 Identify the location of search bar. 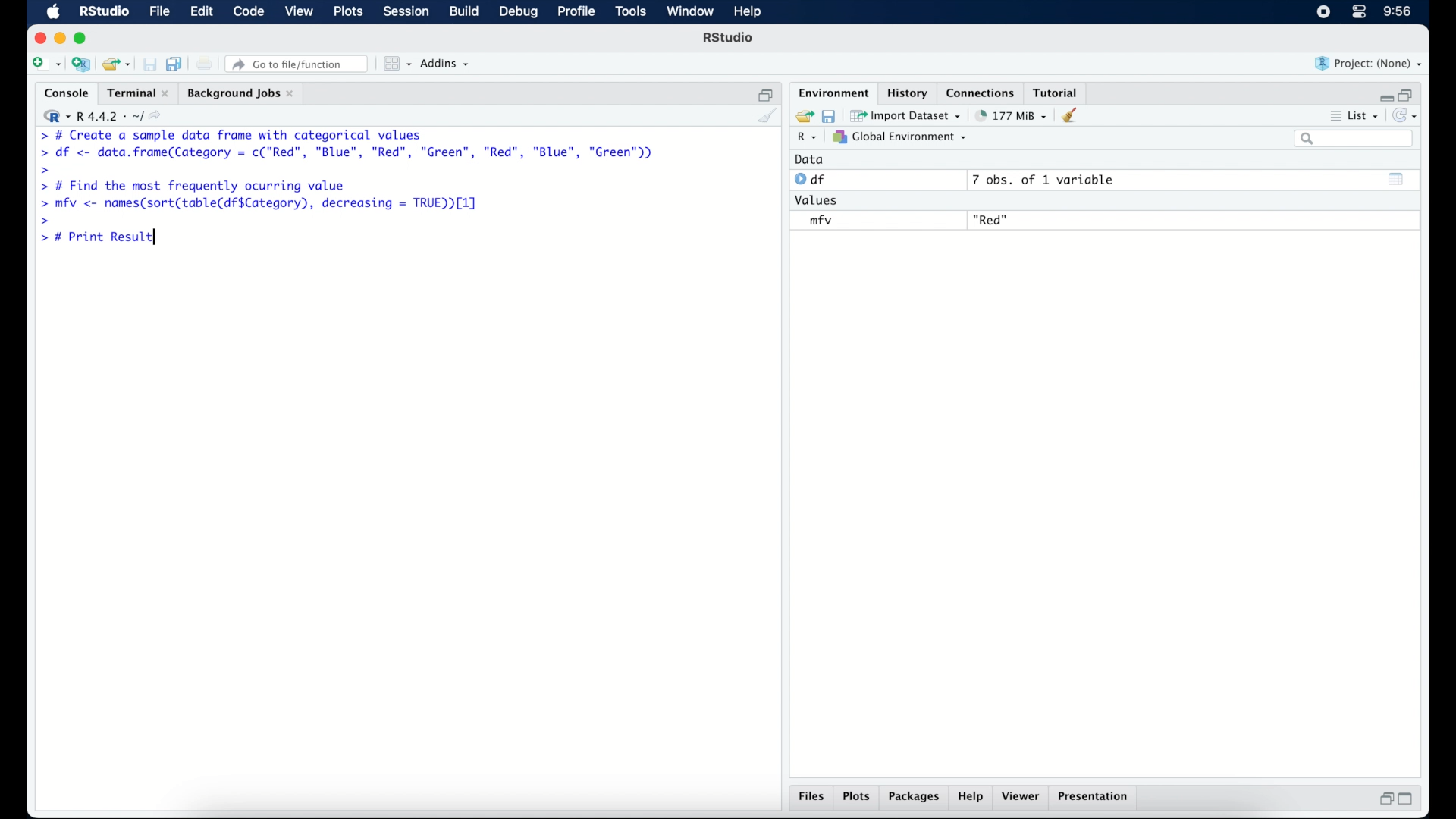
(1355, 140).